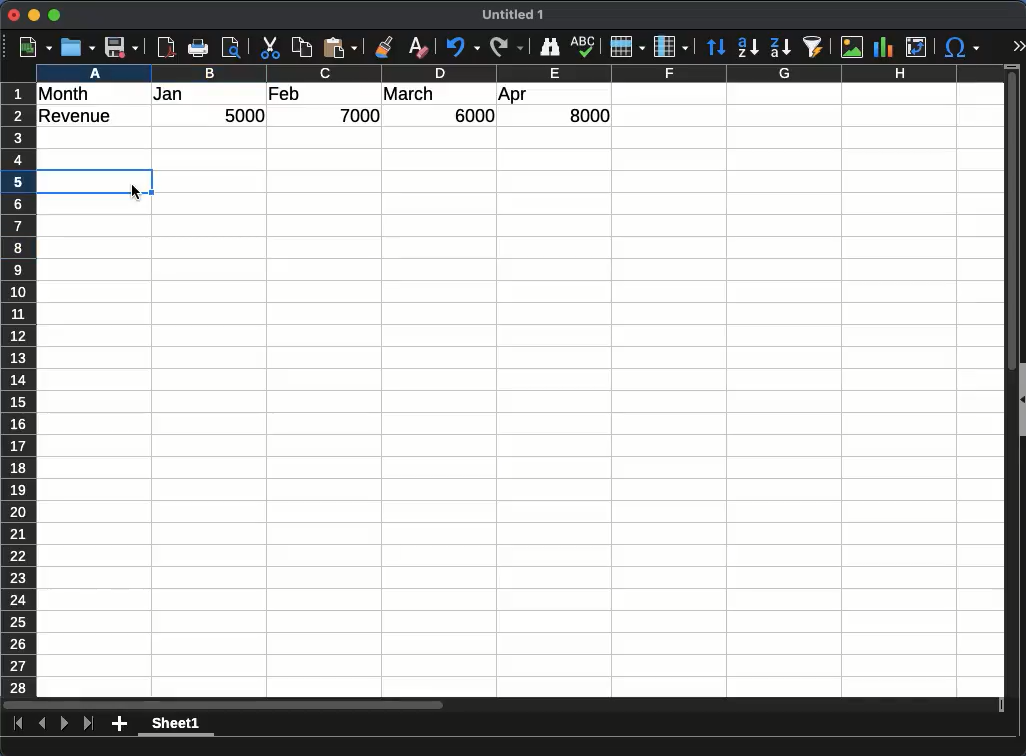 The width and height of the screenshot is (1026, 756). Describe the element at coordinates (42, 723) in the screenshot. I see `previous sheet` at that location.